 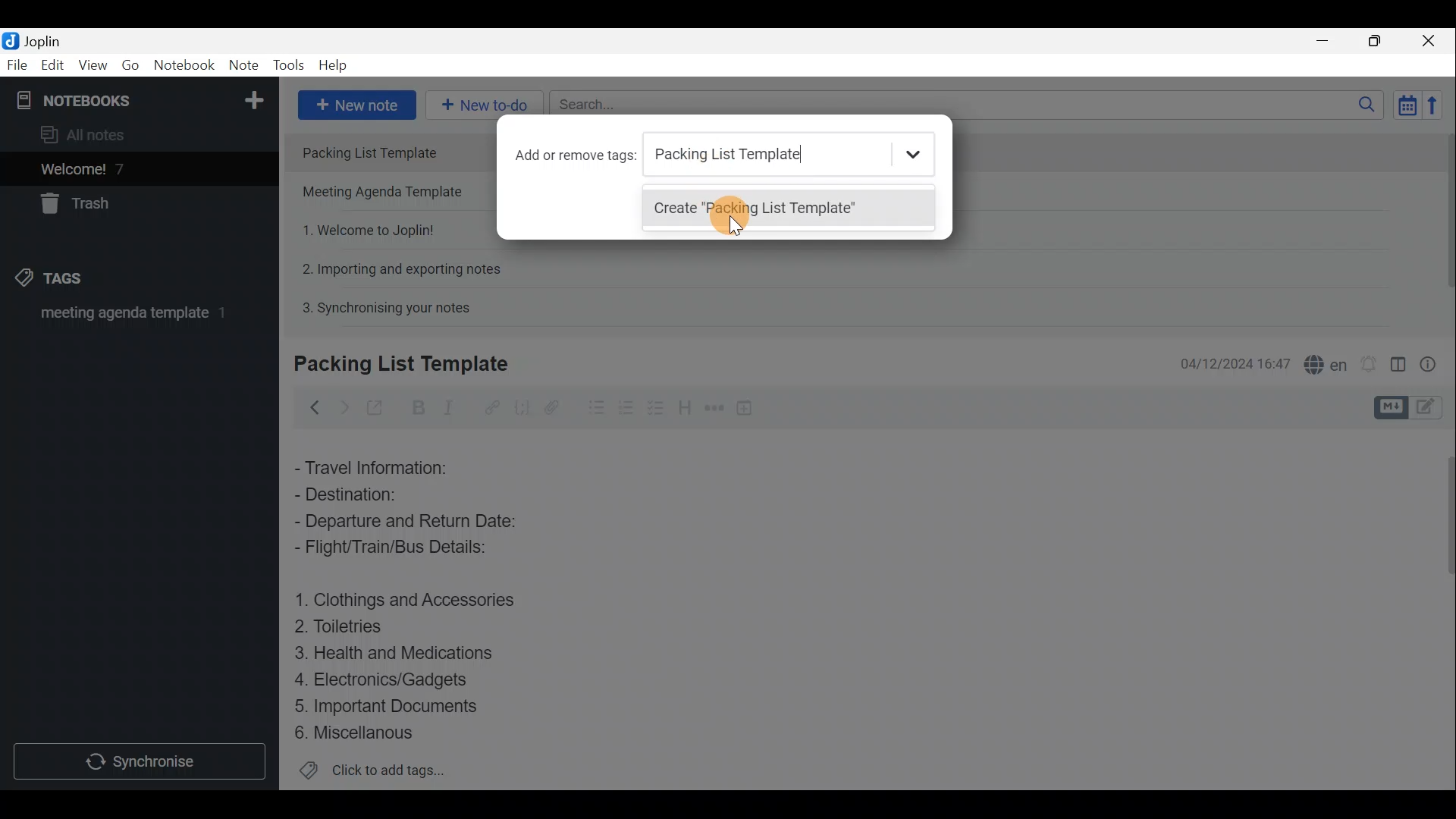 I want to click on Note 4, so click(x=394, y=266).